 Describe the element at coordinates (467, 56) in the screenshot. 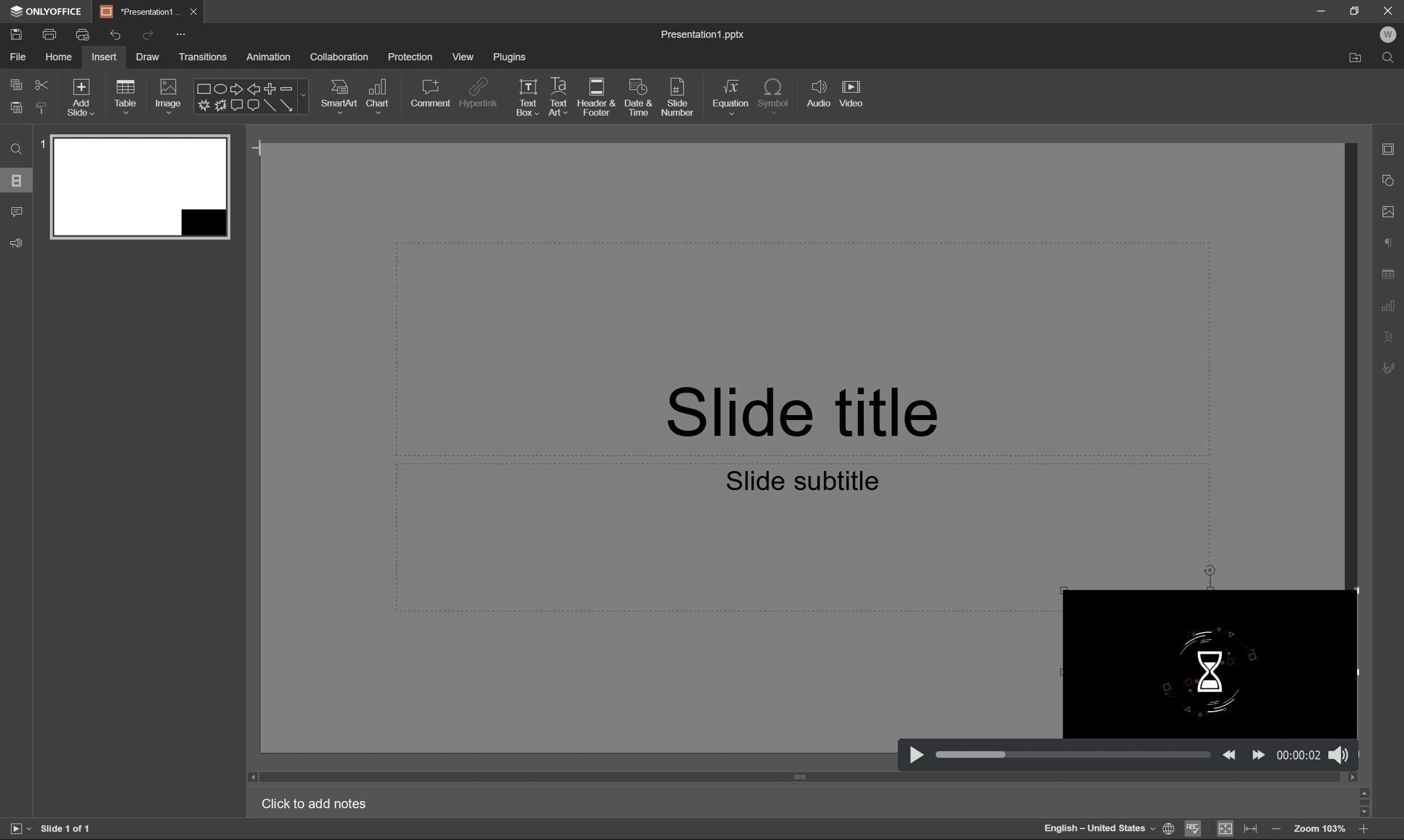

I see `view` at that location.